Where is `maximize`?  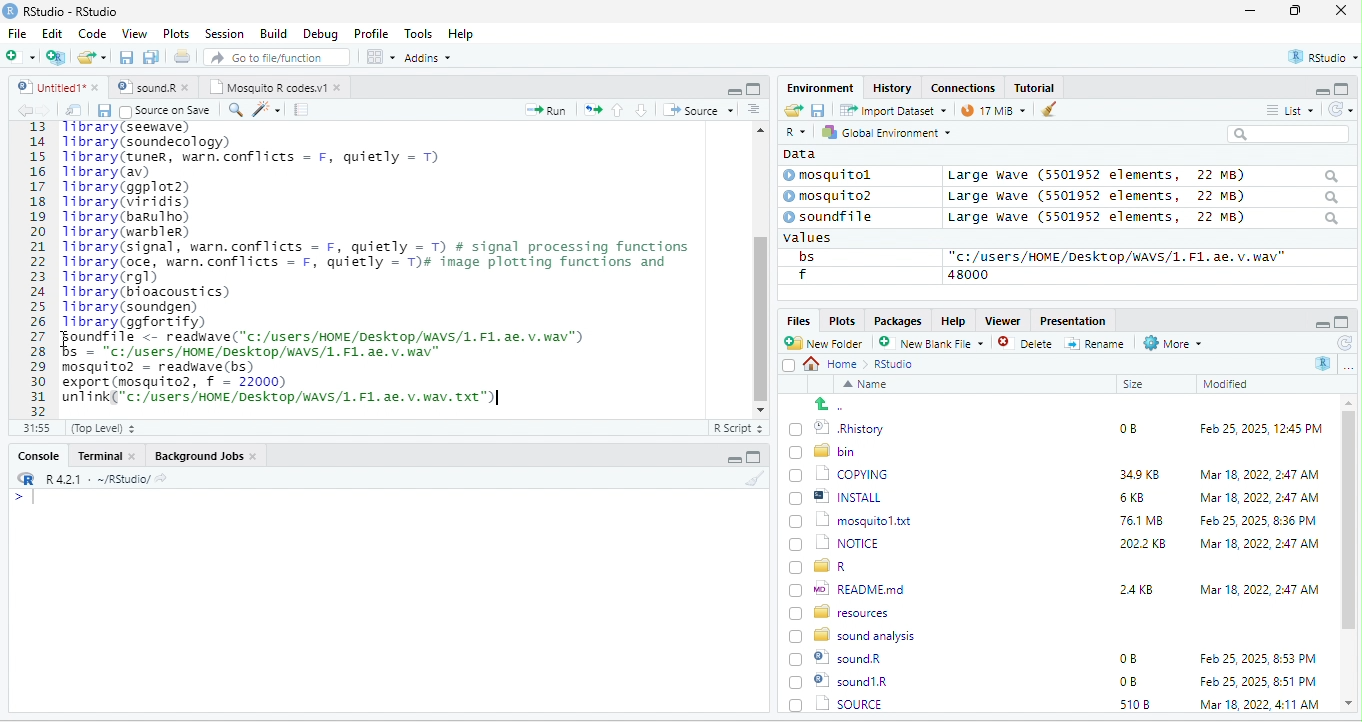
maximize is located at coordinates (1342, 322).